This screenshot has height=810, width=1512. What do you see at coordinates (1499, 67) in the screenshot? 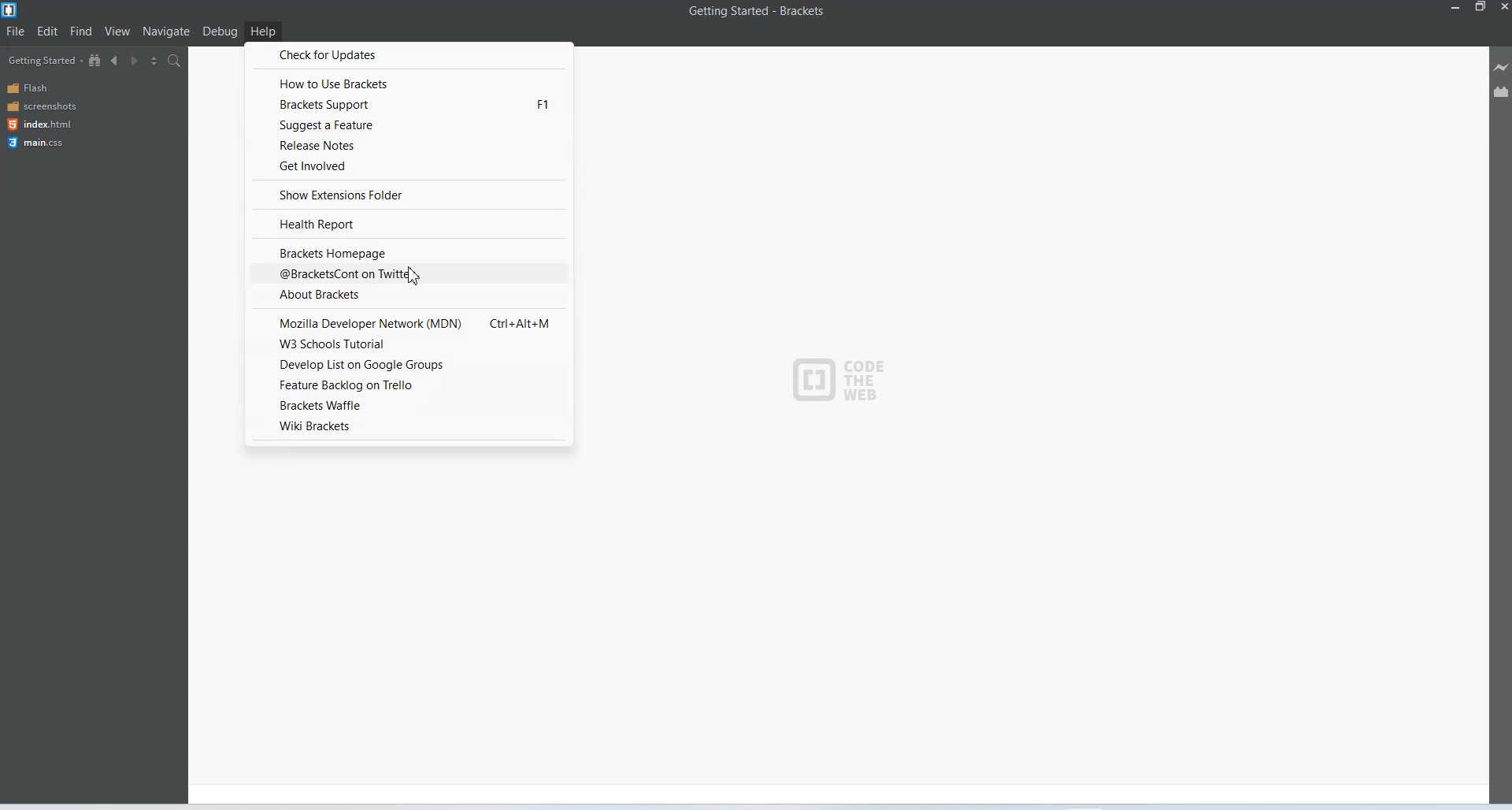
I see `Live Preview` at bounding box center [1499, 67].